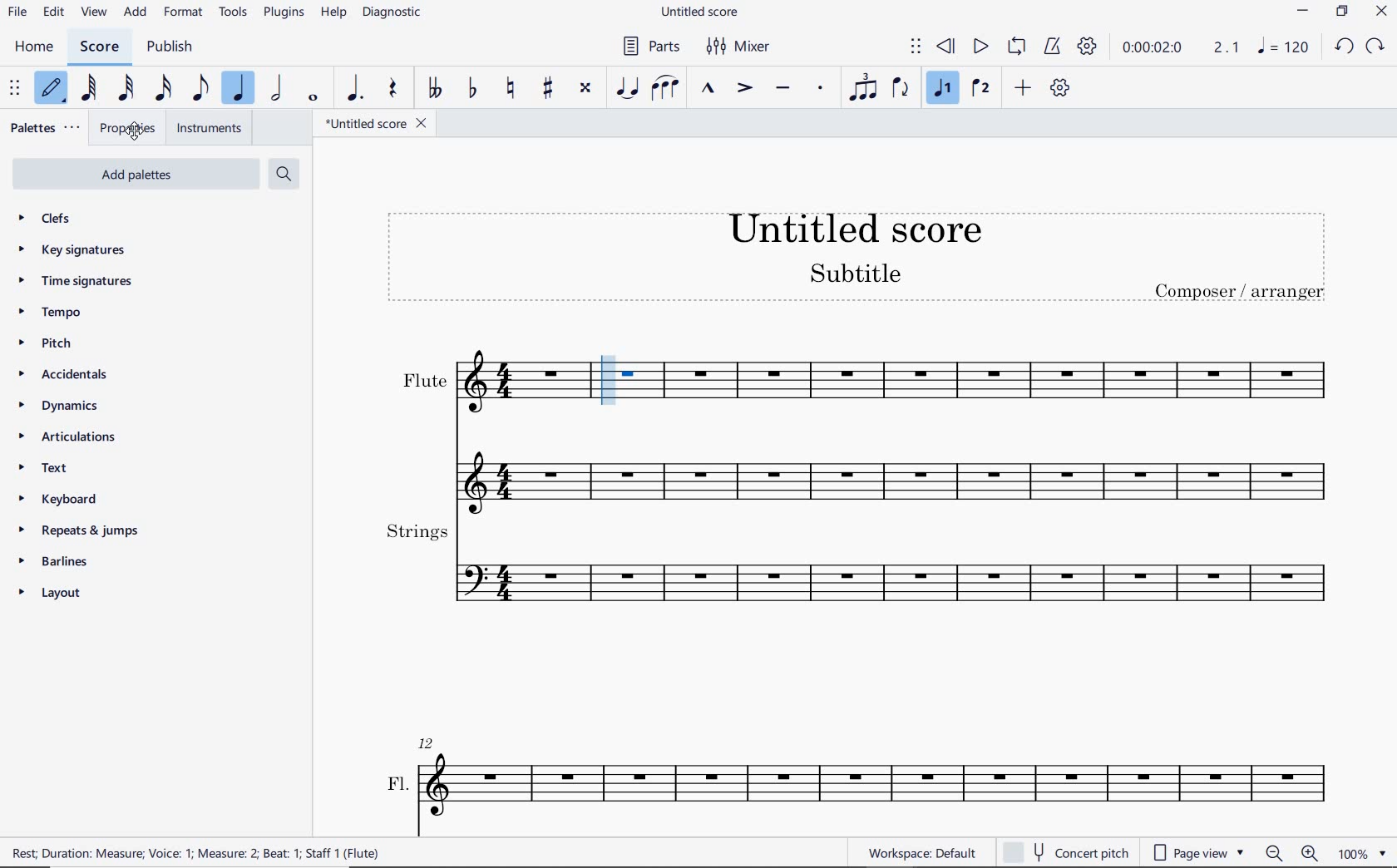 This screenshot has height=868, width=1397. I want to click on VOICE 1, so click(942, 88).